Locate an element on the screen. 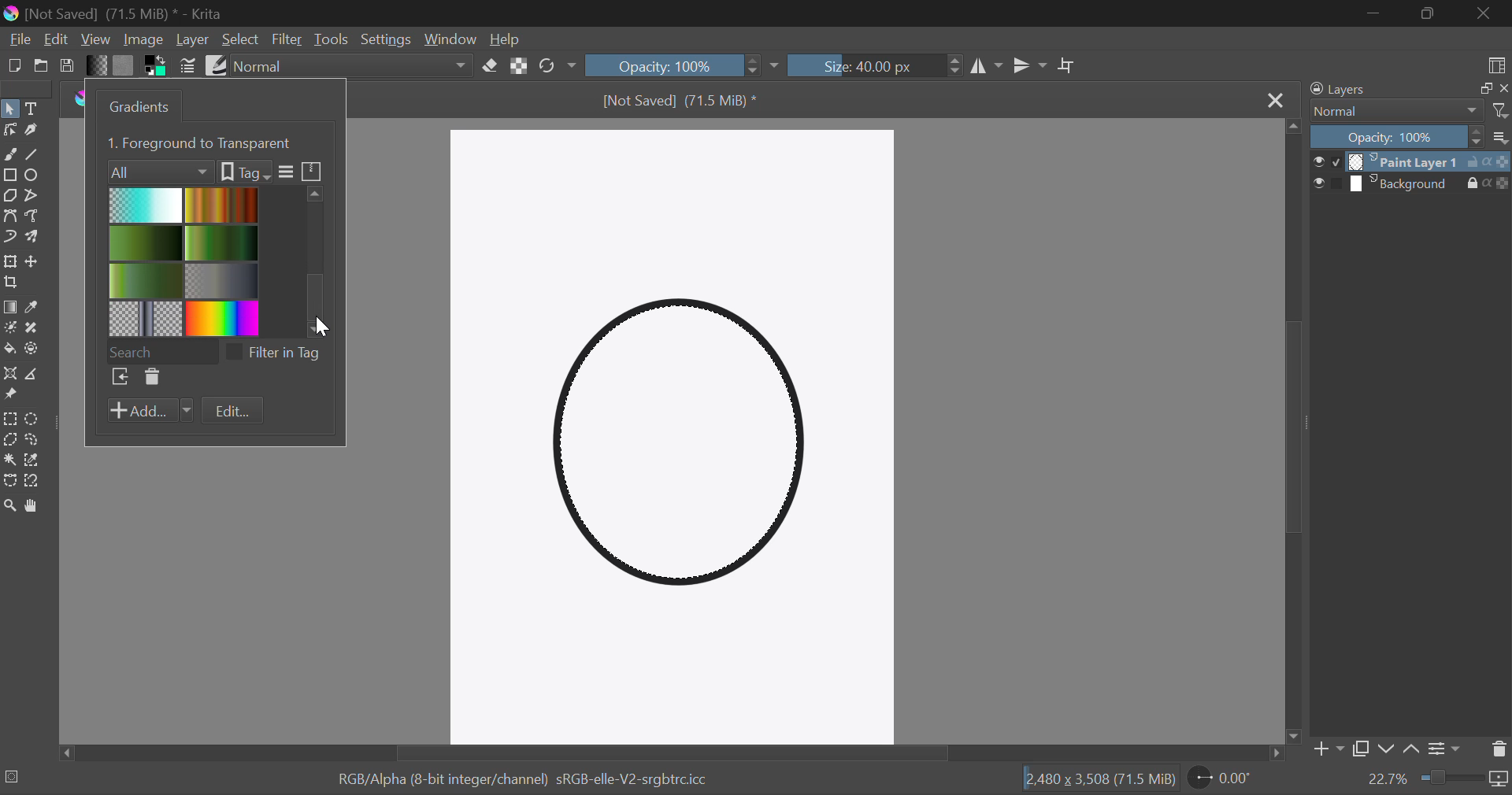  Edit is located at coordinates (232, 409).